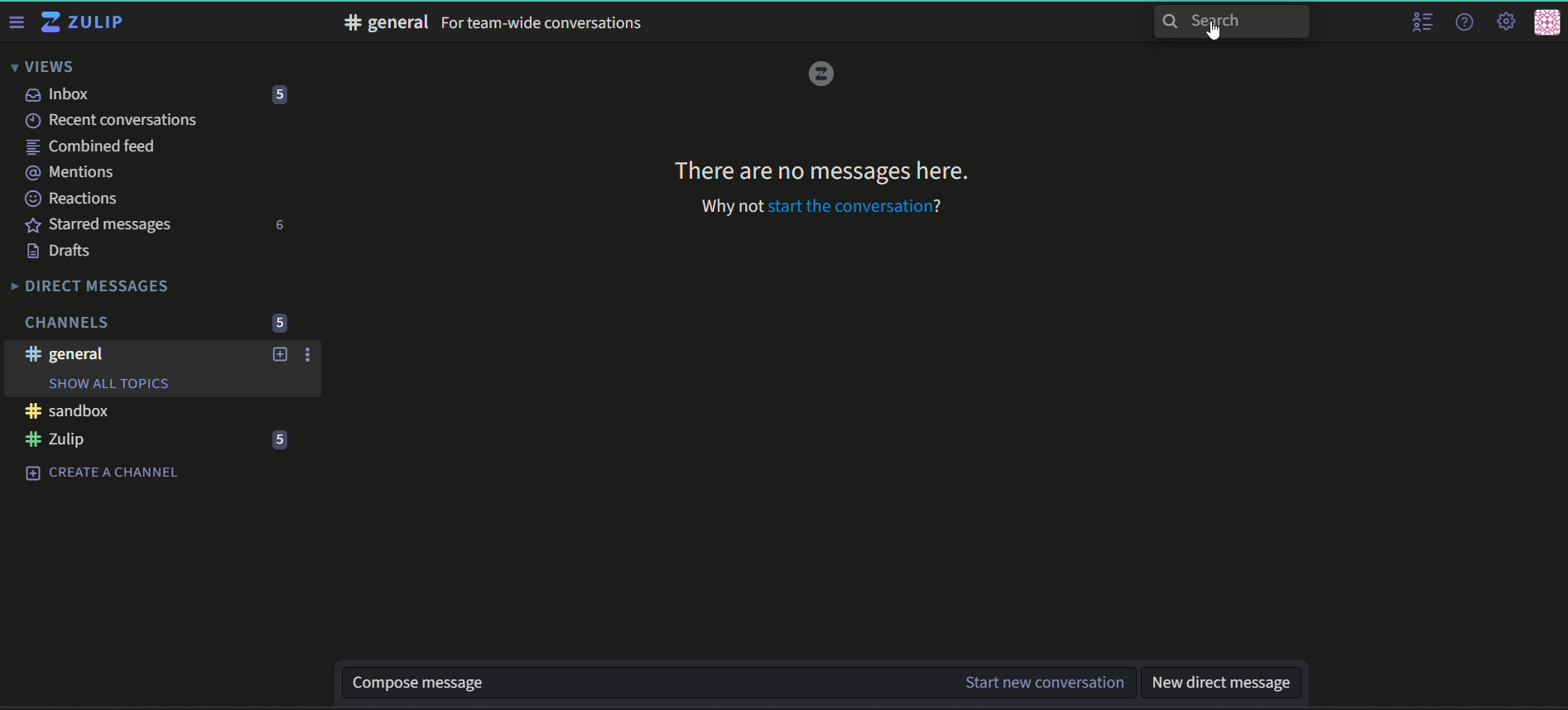 Image resolution: width=1568 pixels, height=710 pixels. What do you see at coordinates (281, 226) in the screenshot?
I see `number` at bounding box center [281, 226].